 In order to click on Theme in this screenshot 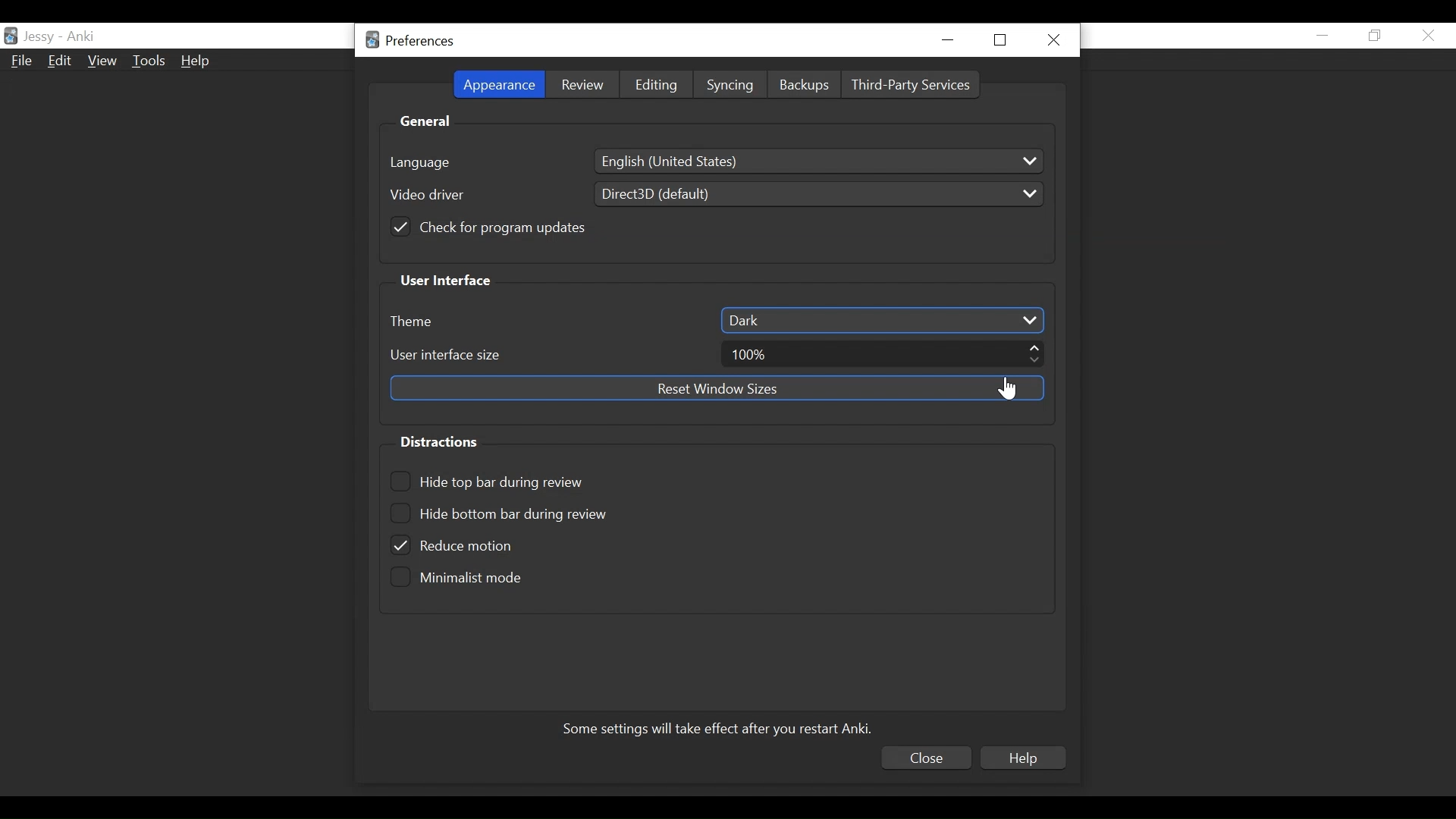, I will do `click(416, 322)`.